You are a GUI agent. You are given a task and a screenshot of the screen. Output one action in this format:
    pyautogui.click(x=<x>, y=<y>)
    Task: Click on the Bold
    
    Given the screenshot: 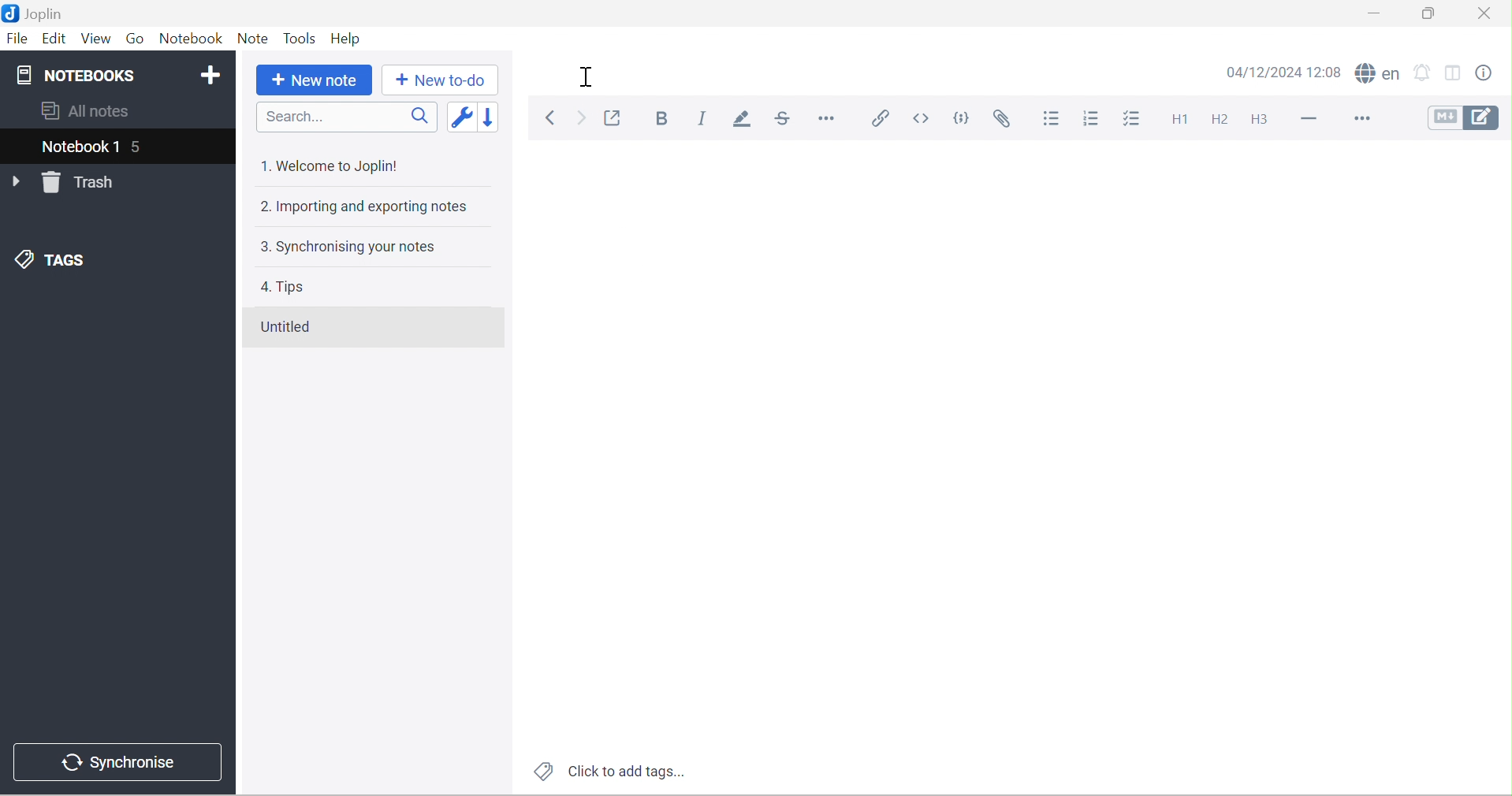 What is the action you would take?
    pyautogui.click(x=664, y=119)
    